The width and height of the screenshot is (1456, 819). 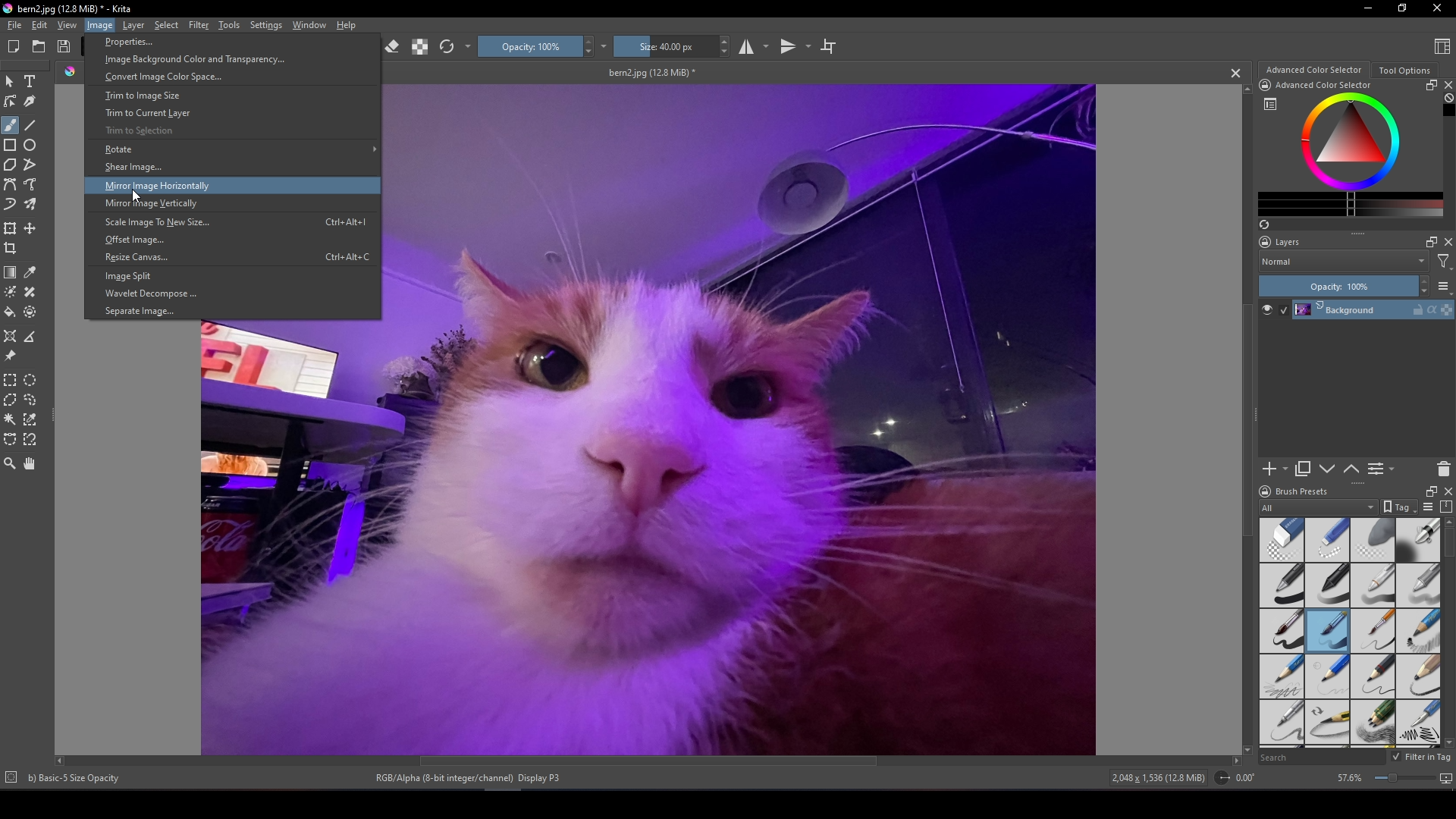 What do you see at coordinates (10, 439) in the screenshot?
I see `Bezier curve selection tool` at bounding box center [10, 439].